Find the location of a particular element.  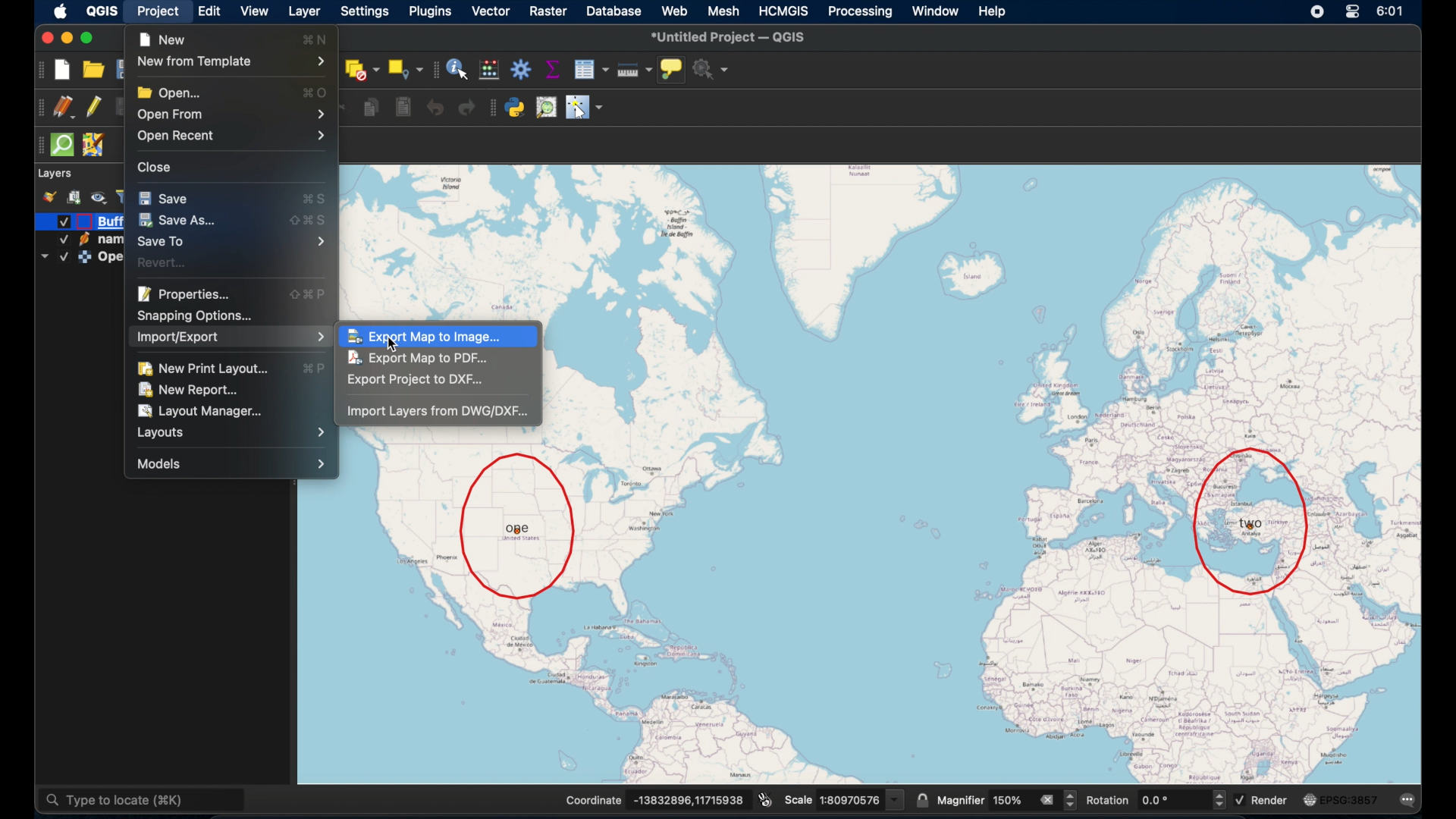

command P is located at coordinates (316, 369).